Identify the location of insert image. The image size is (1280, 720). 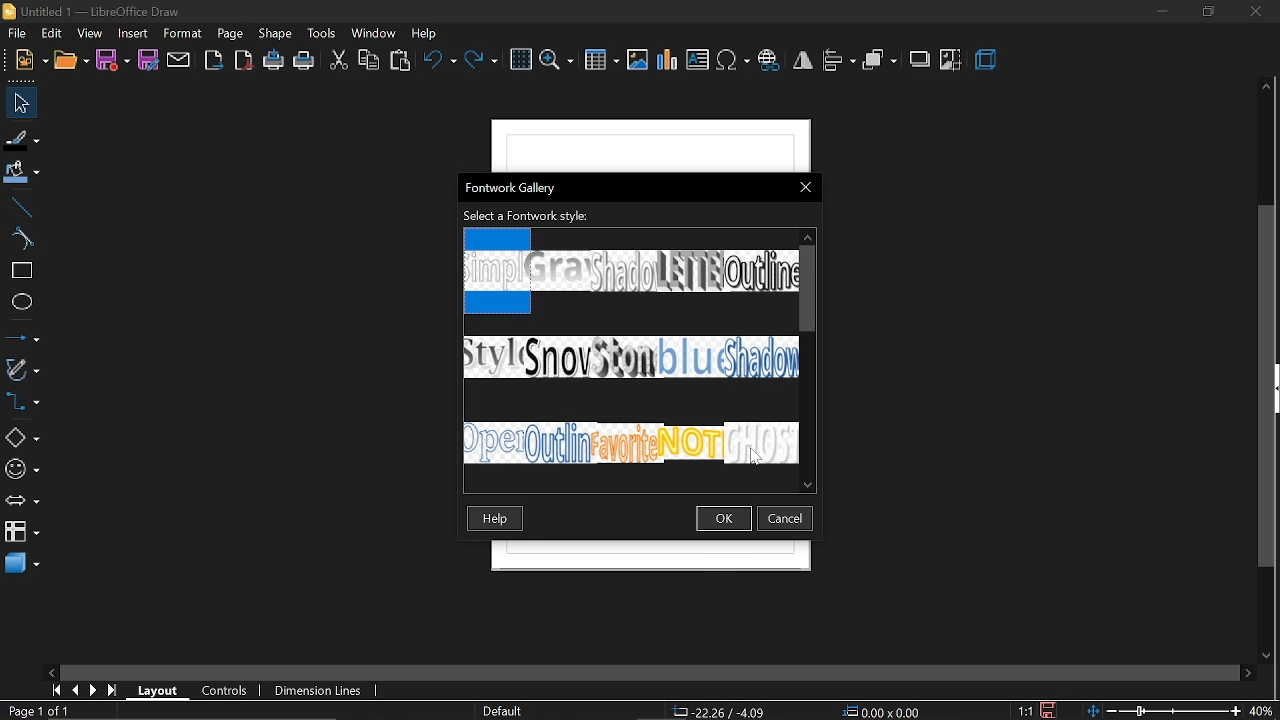
(638, 60).